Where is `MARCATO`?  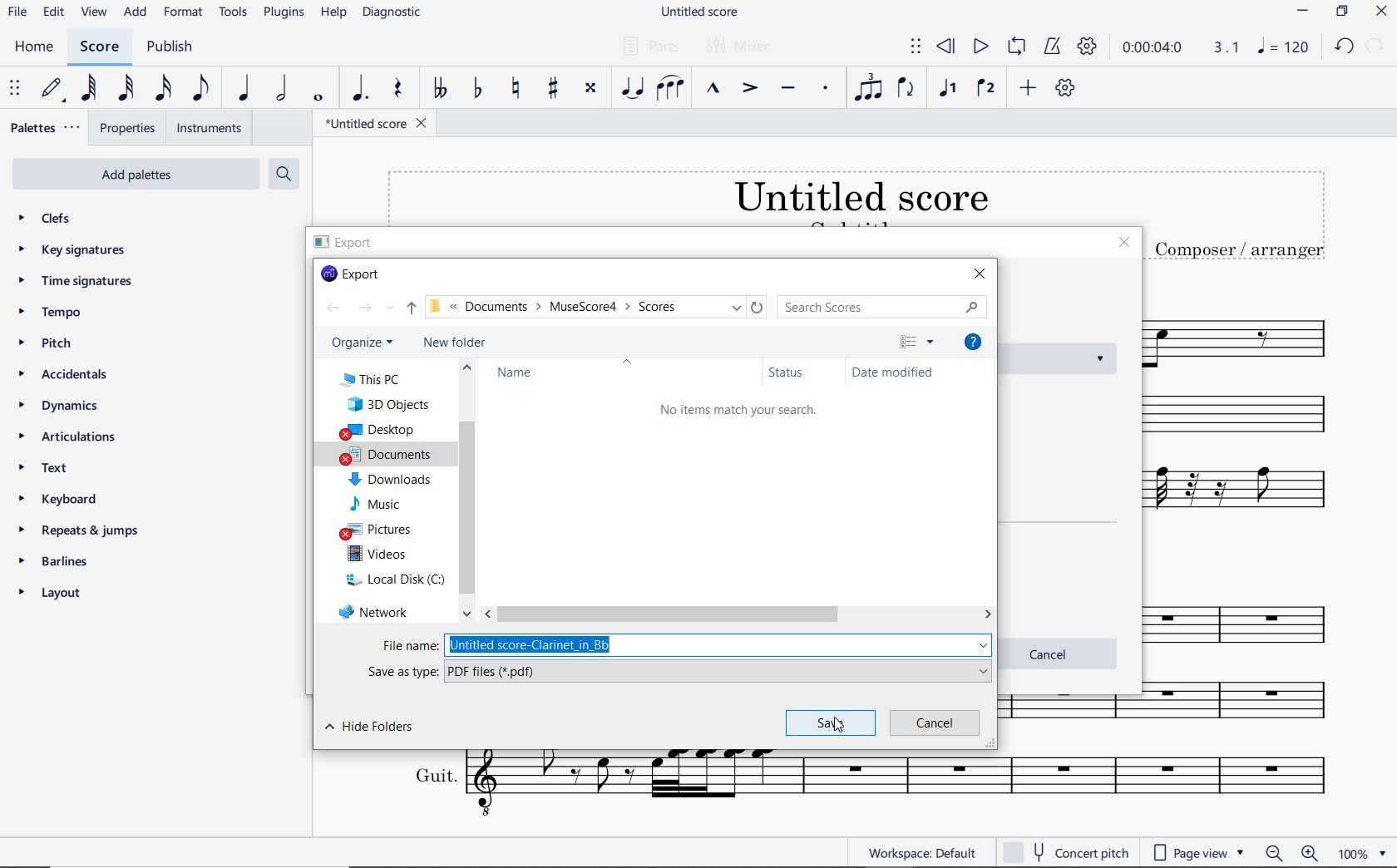
MARCATO is located at coordinates (713, 89).